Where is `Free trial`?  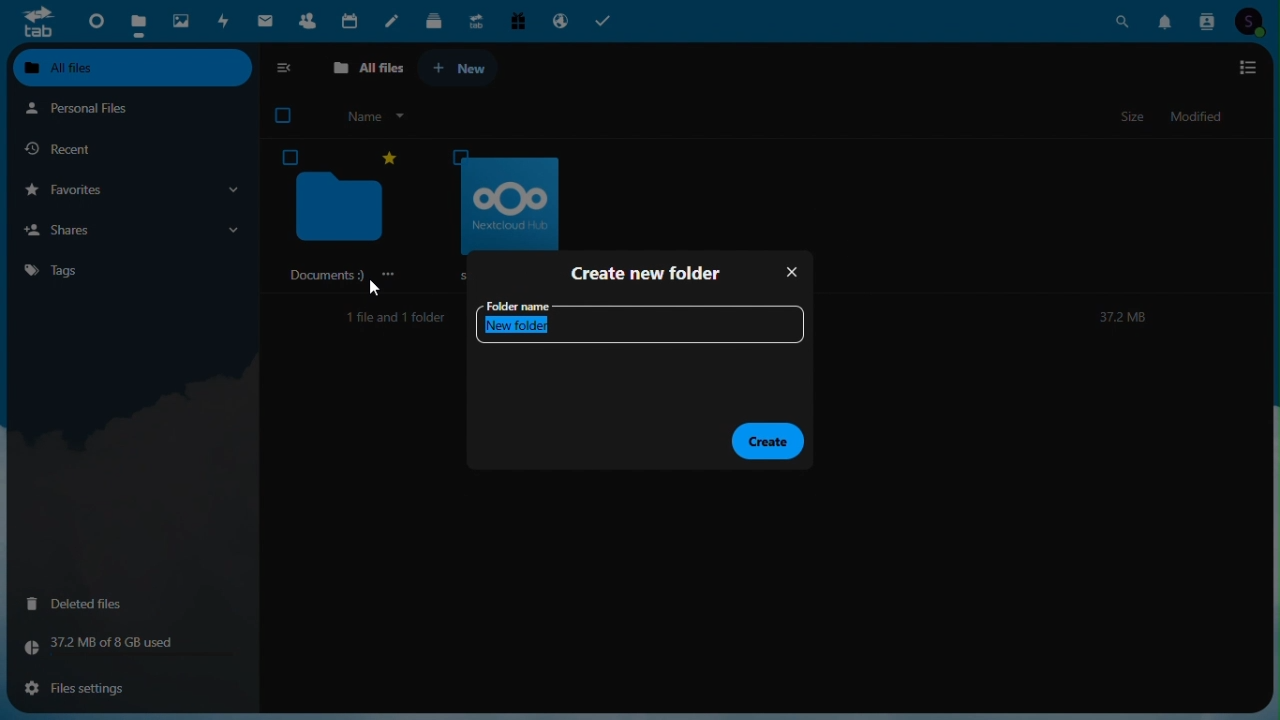 Free trial is located at coordinates (520, 19).